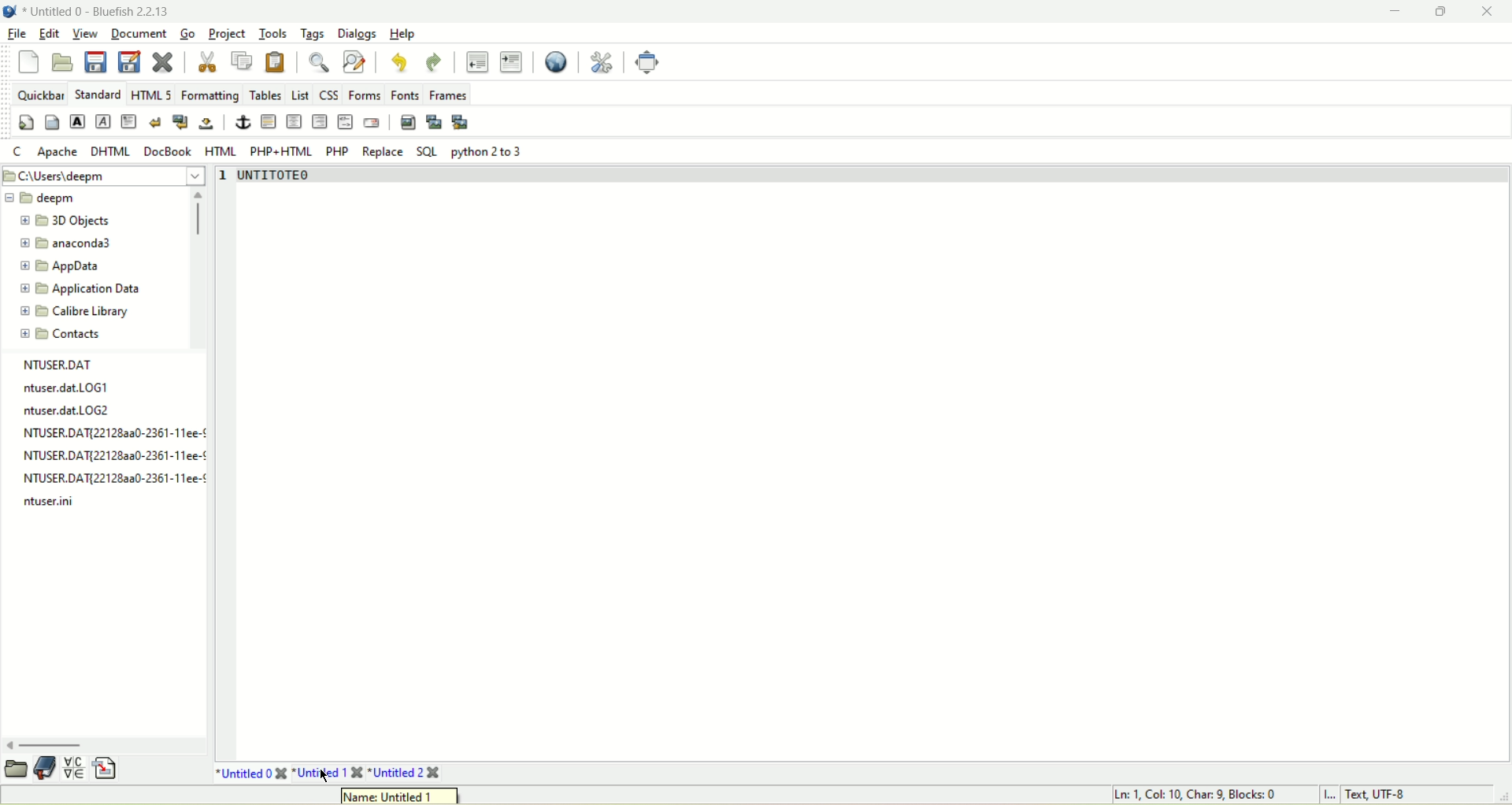 The height and width of the screenshot is (805, 1512). Describe the element at coordinates (407, 774) in the screenshot. I see `Untitled 2 ` at that location.